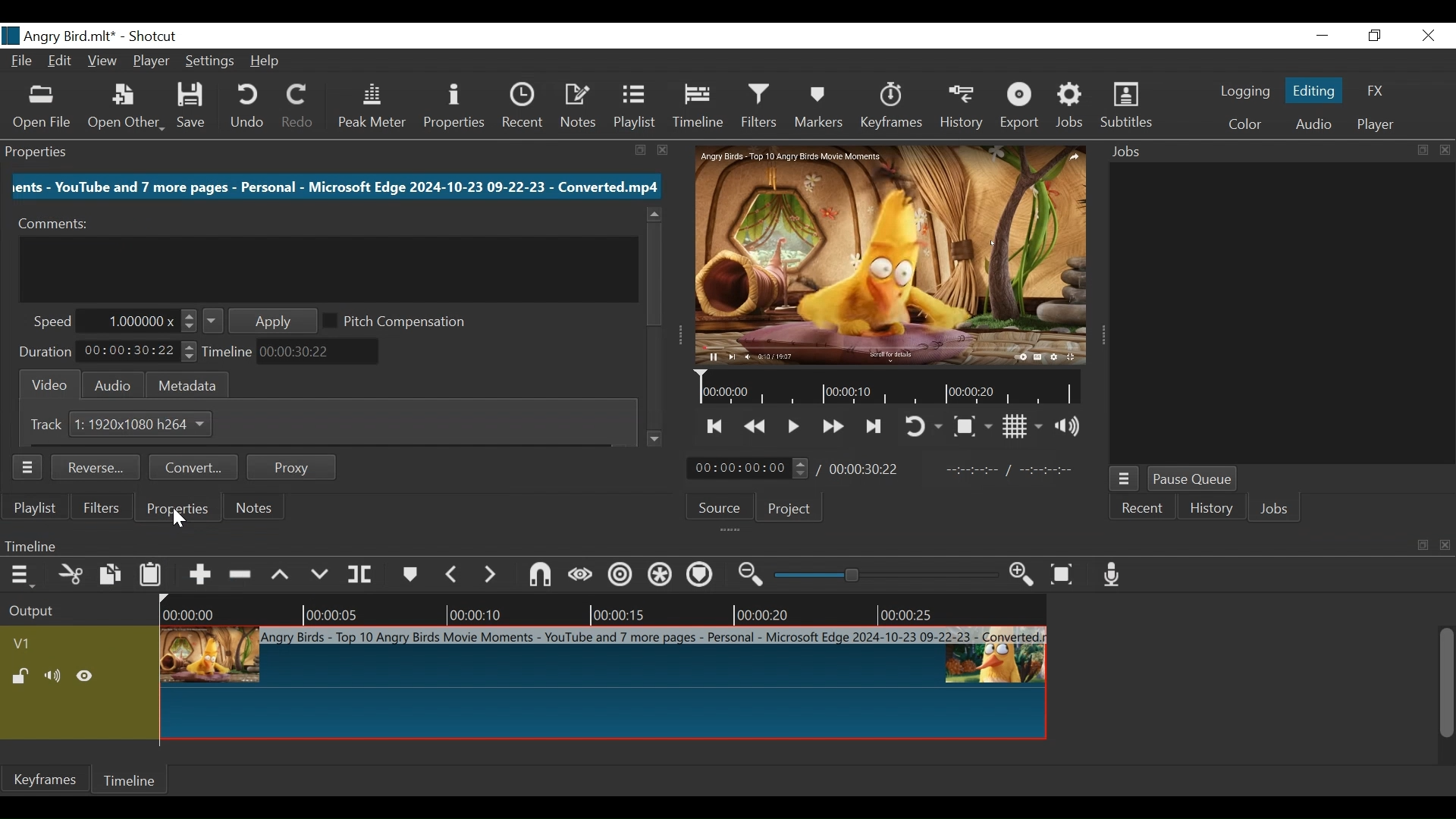  What do you see at coordinates (1025, 576) in the screenshot?
I see `Zoom timeline in` at bounding box center [1025, 576].